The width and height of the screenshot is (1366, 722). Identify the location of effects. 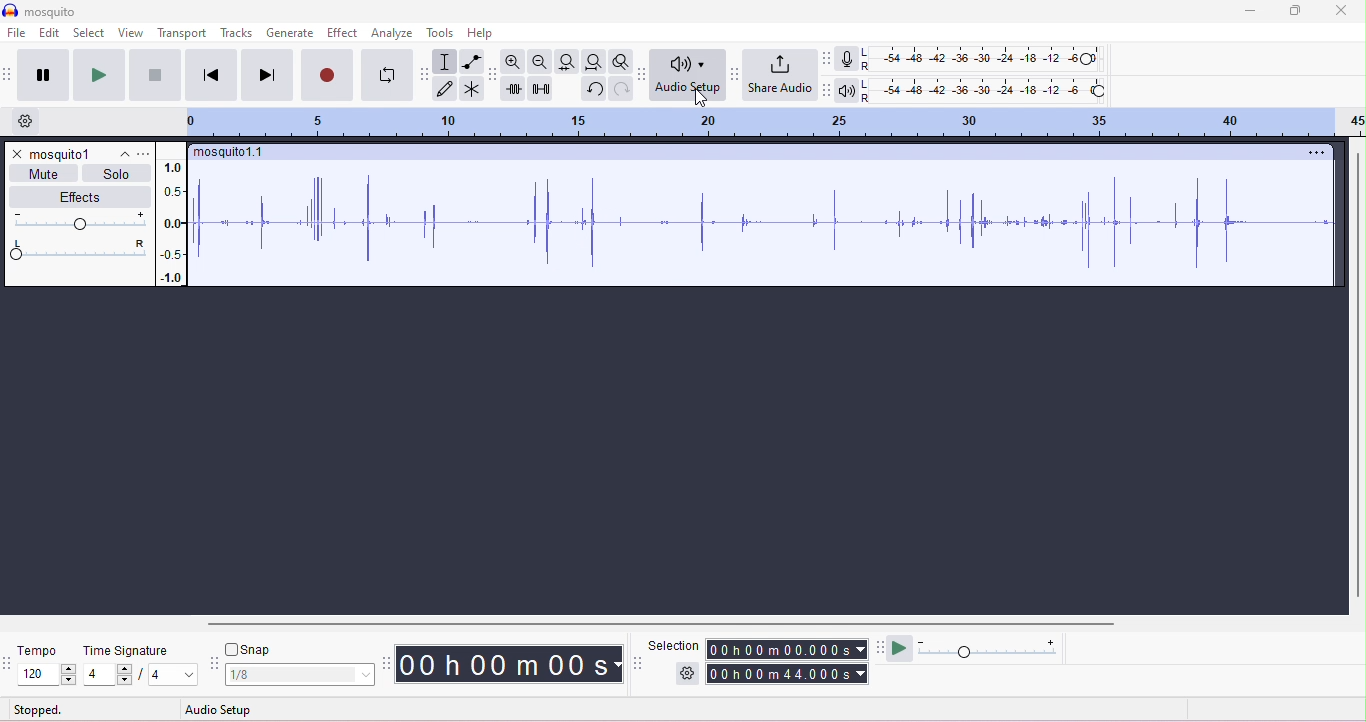
(82, 196).